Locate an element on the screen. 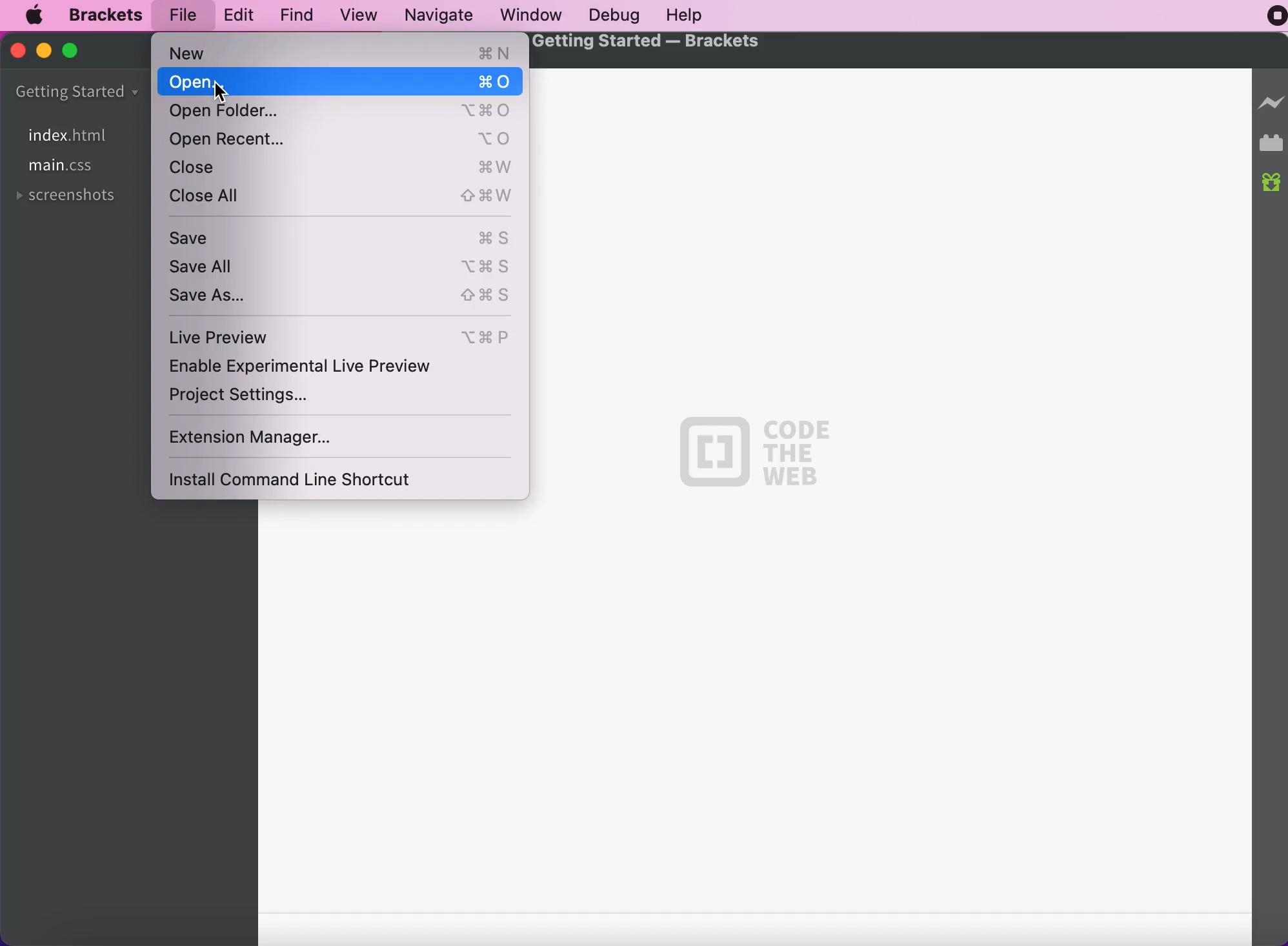  brackets is located at coordinates (108, 14).